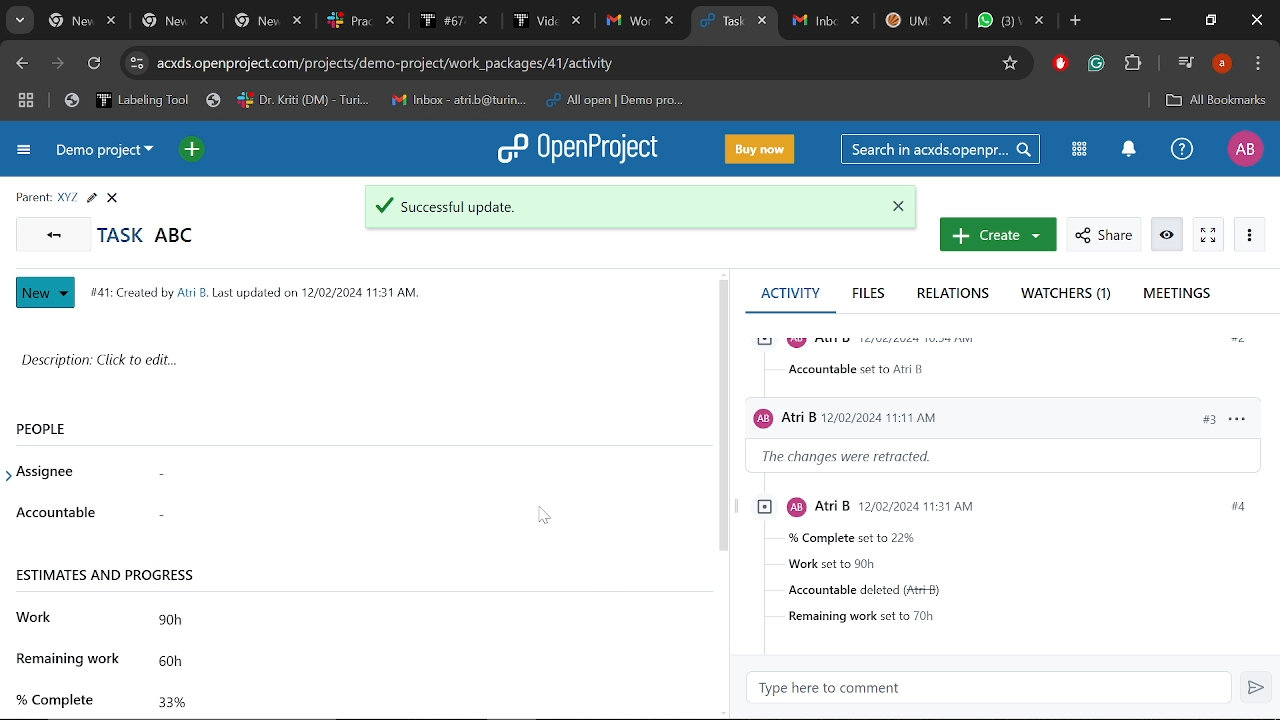  What do you see at coordinates (860, 457) in the screenshot?
I see `the changes were retracted` at bounding box center [860, 457].